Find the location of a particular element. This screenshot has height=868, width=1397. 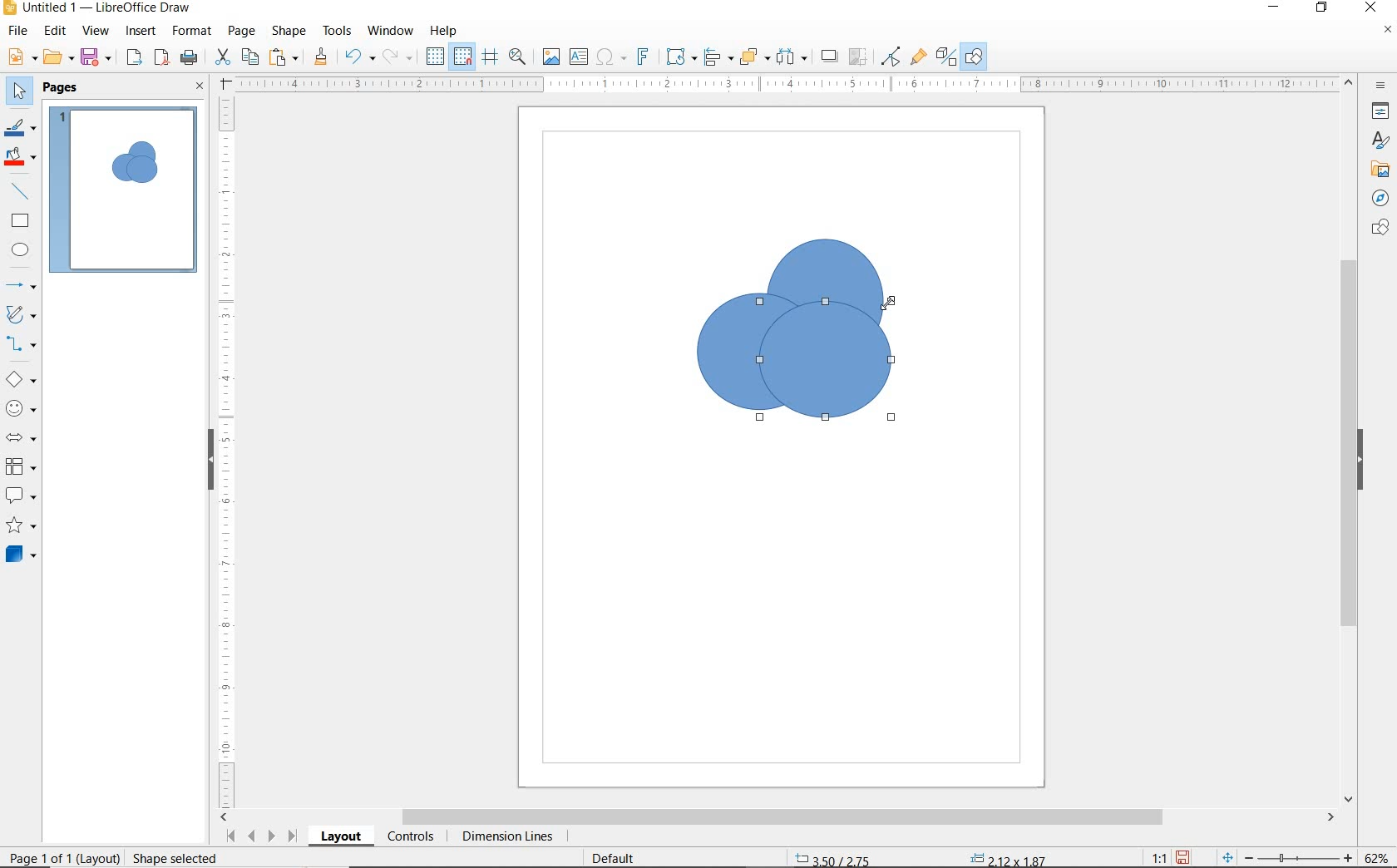

INSERT FONTWORK TEXT is located at coordinates (641, 57).